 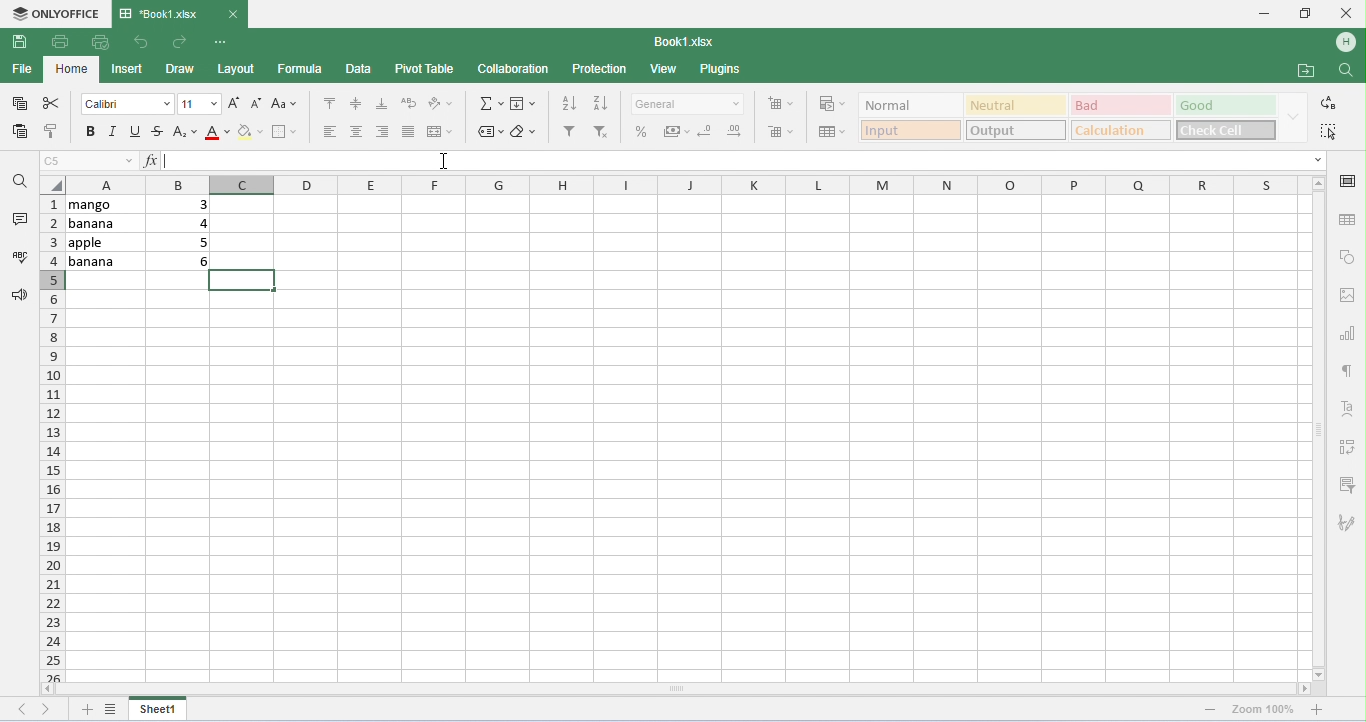 I want to click on maximize, so click(x=1303, y=13).